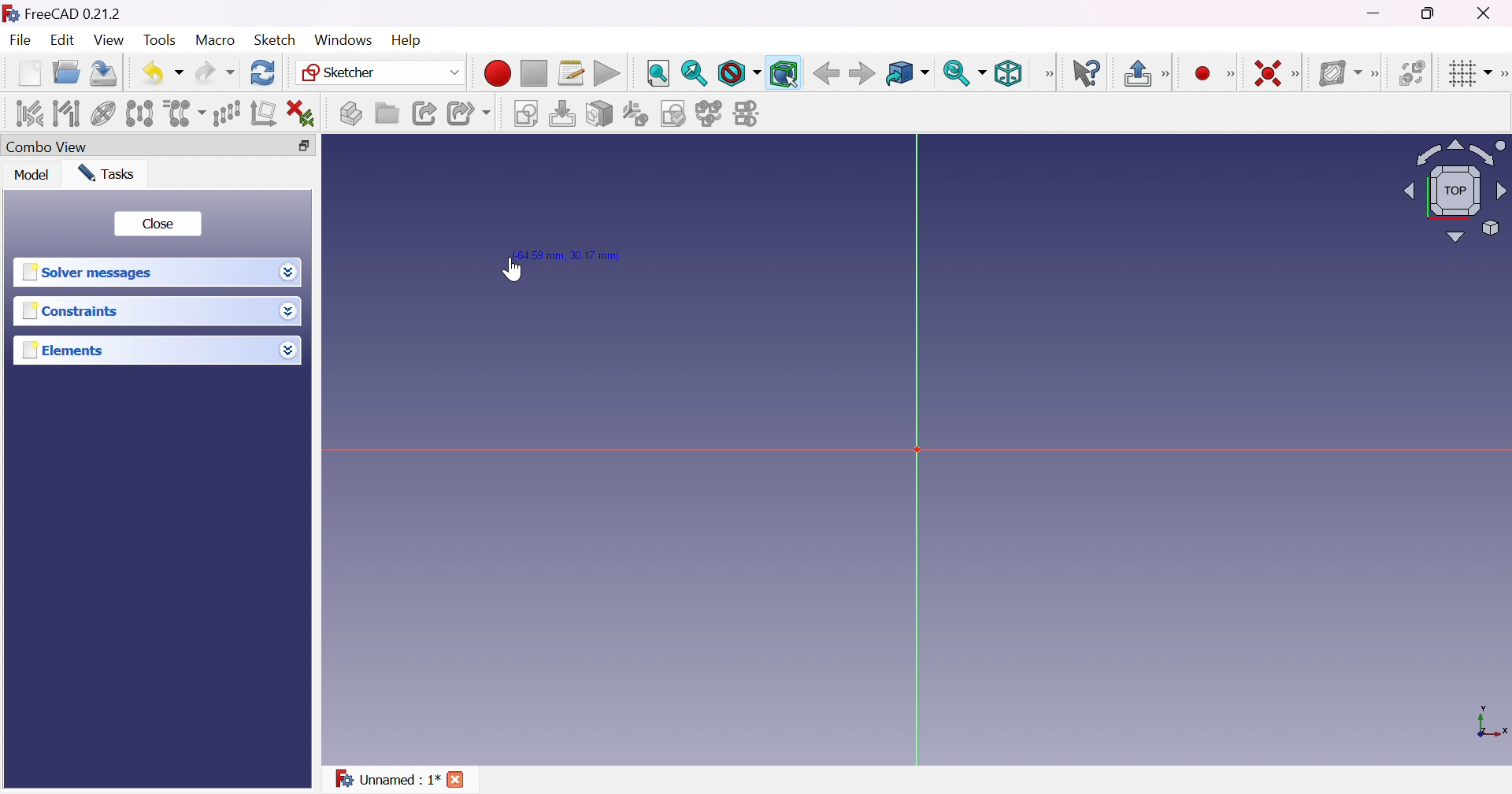  What do you see at coordinates (10, 13) in the screenshot?
I see `icon` at bounding box center [10, 13].